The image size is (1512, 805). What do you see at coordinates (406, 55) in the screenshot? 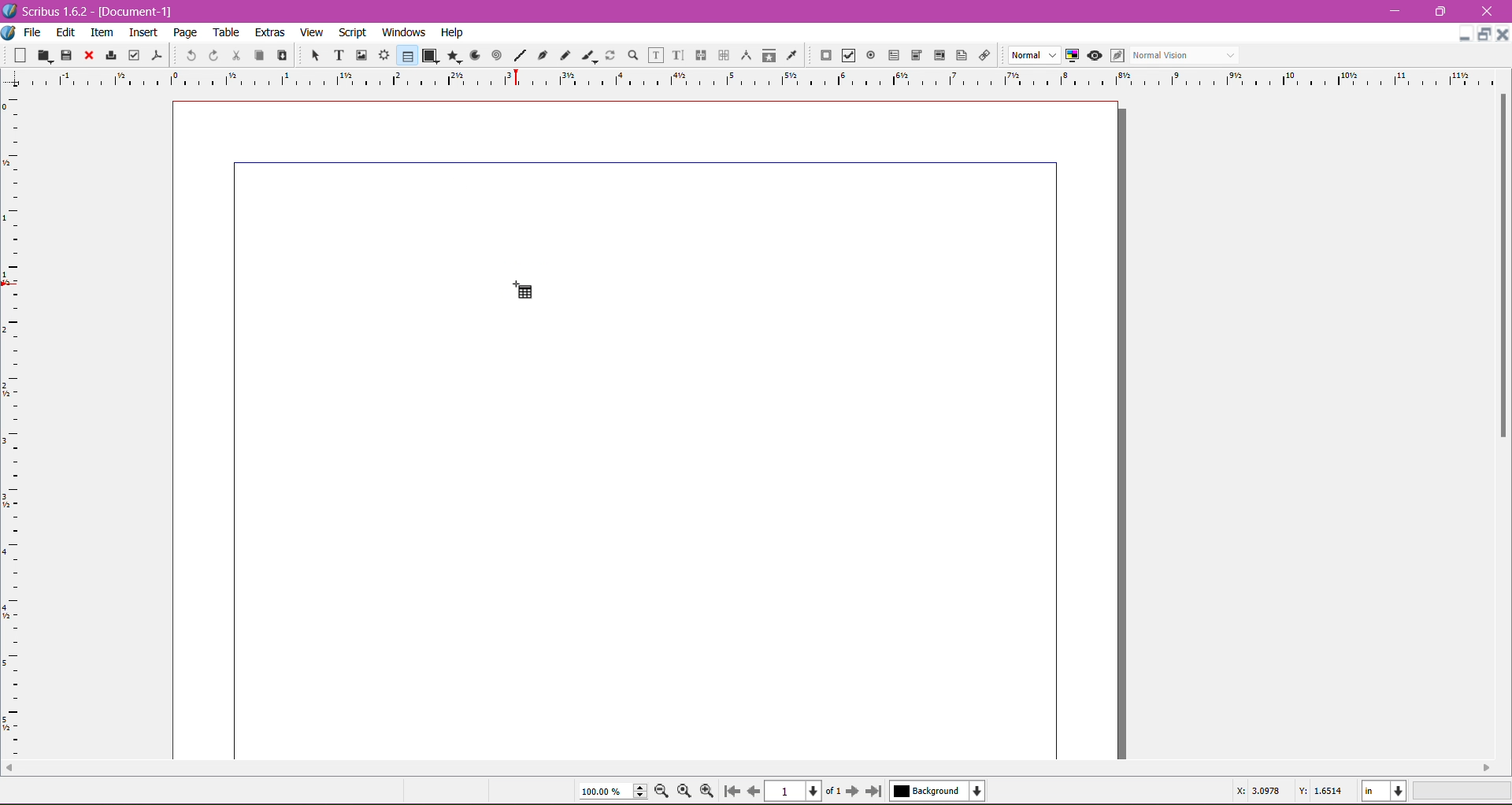
I see `Tables` at bounding box center [406, 55].